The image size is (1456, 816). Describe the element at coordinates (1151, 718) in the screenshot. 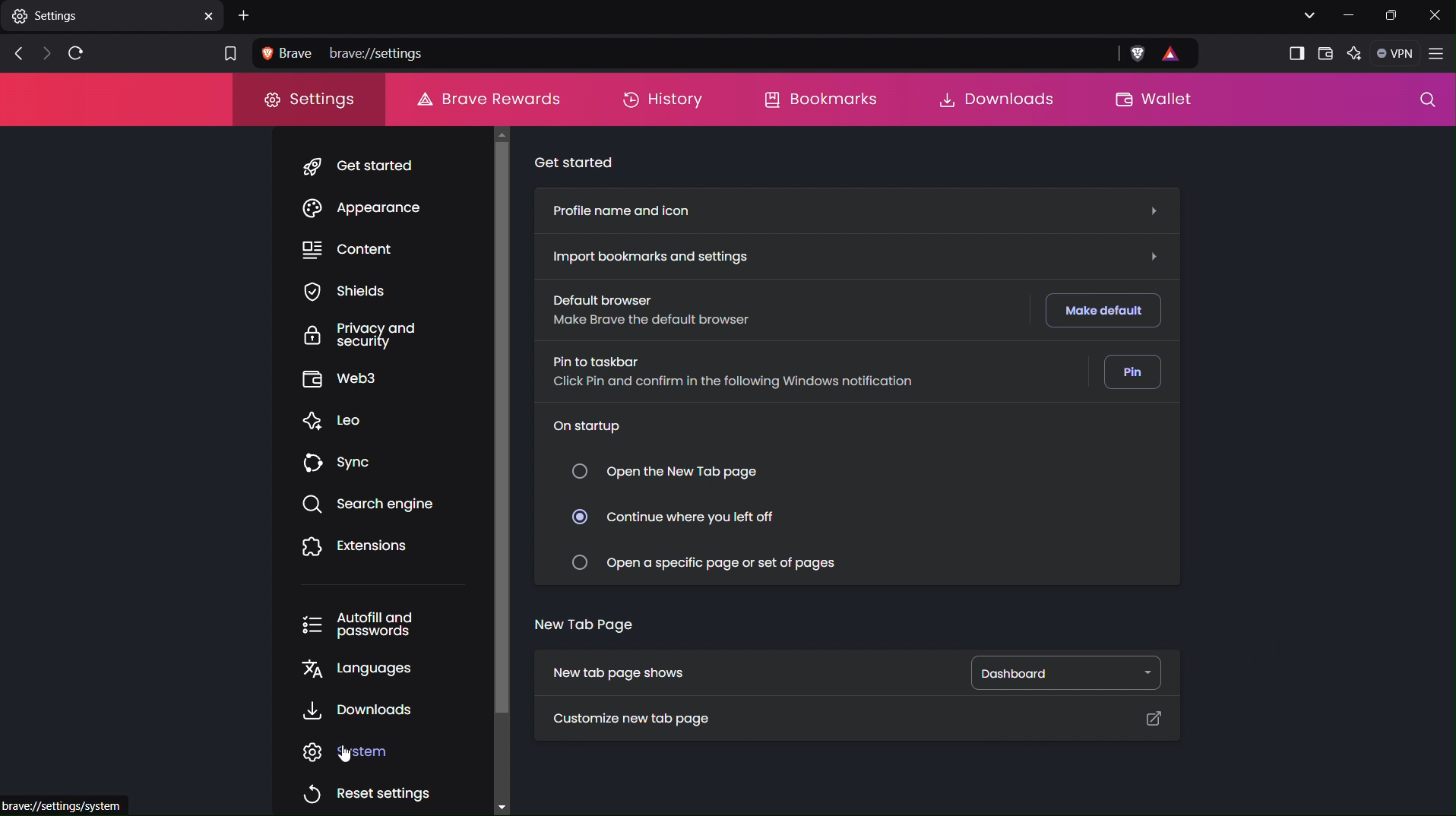

I see `Redirect` at that location.